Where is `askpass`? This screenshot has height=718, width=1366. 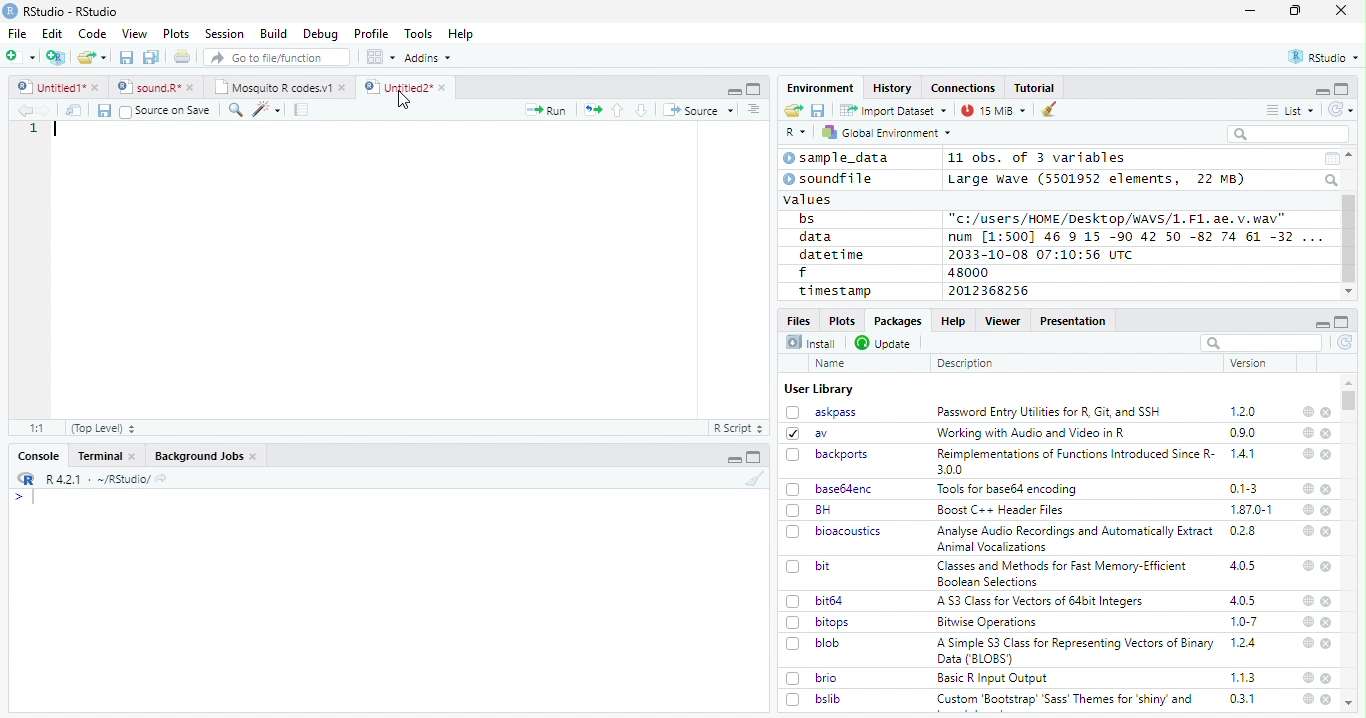 askpass is located at coordinates (820, 412).